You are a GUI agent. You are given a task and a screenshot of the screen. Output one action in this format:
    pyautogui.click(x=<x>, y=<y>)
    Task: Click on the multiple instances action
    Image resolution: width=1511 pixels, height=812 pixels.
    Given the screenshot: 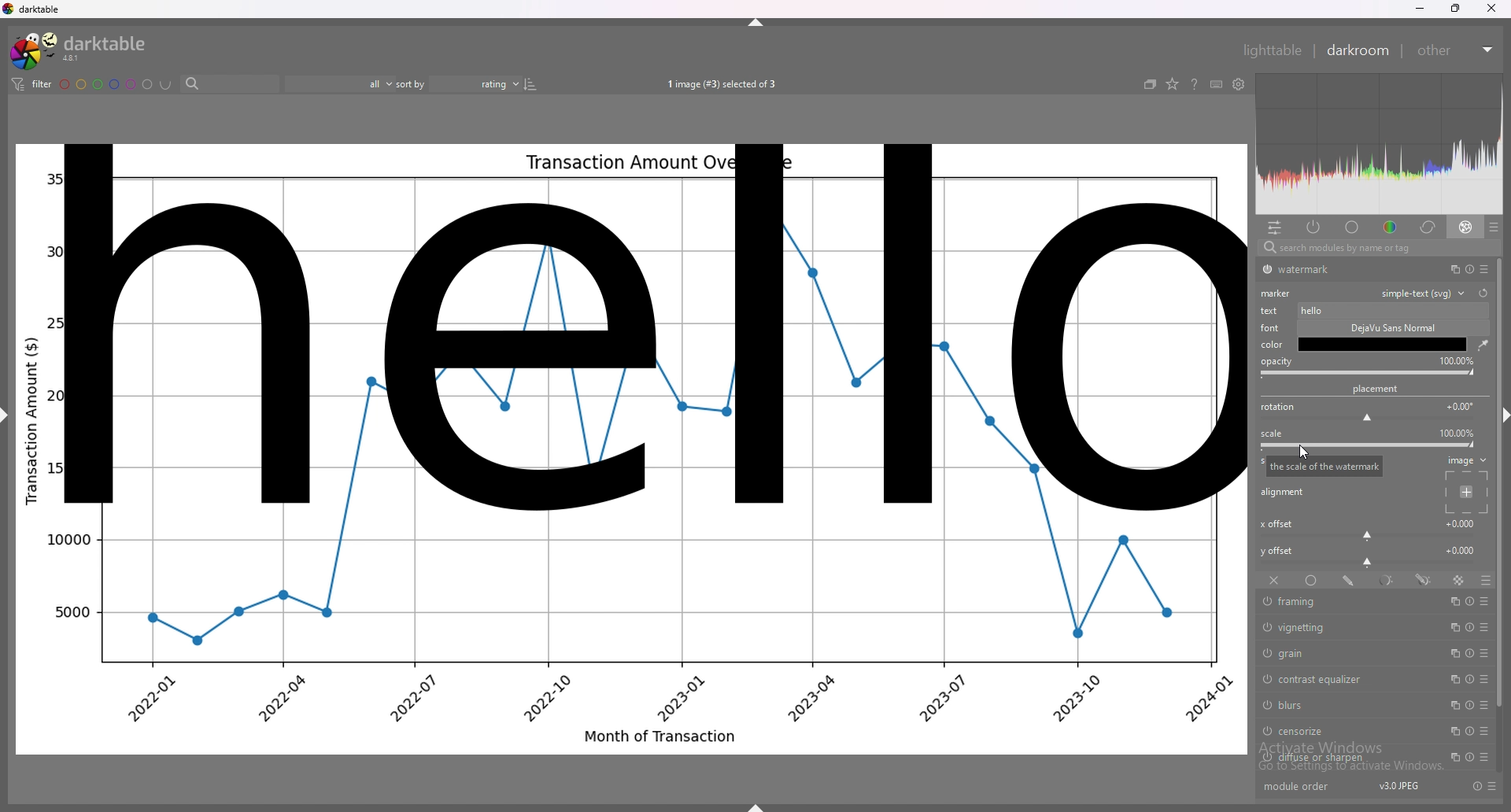 What is the action you would take?
    pyautogui.click(x=1454, y=654)
    